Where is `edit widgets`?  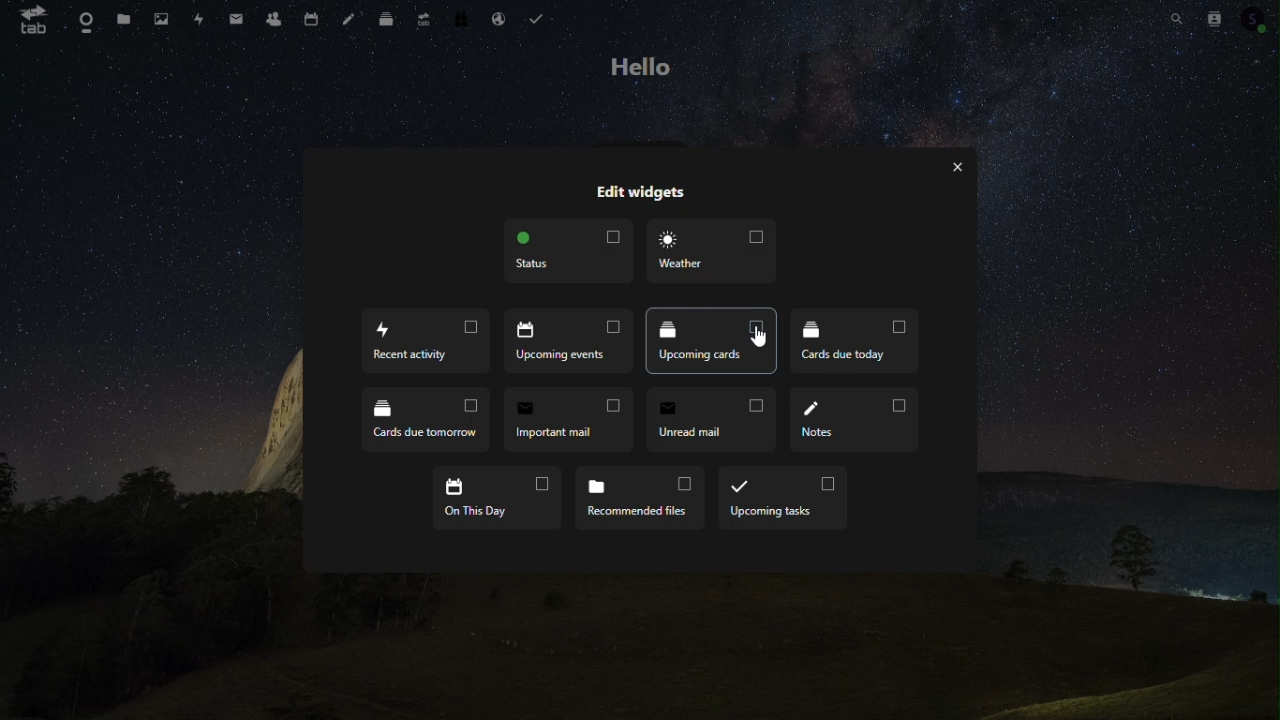
edit widgets is located at coordinates (639, 195).